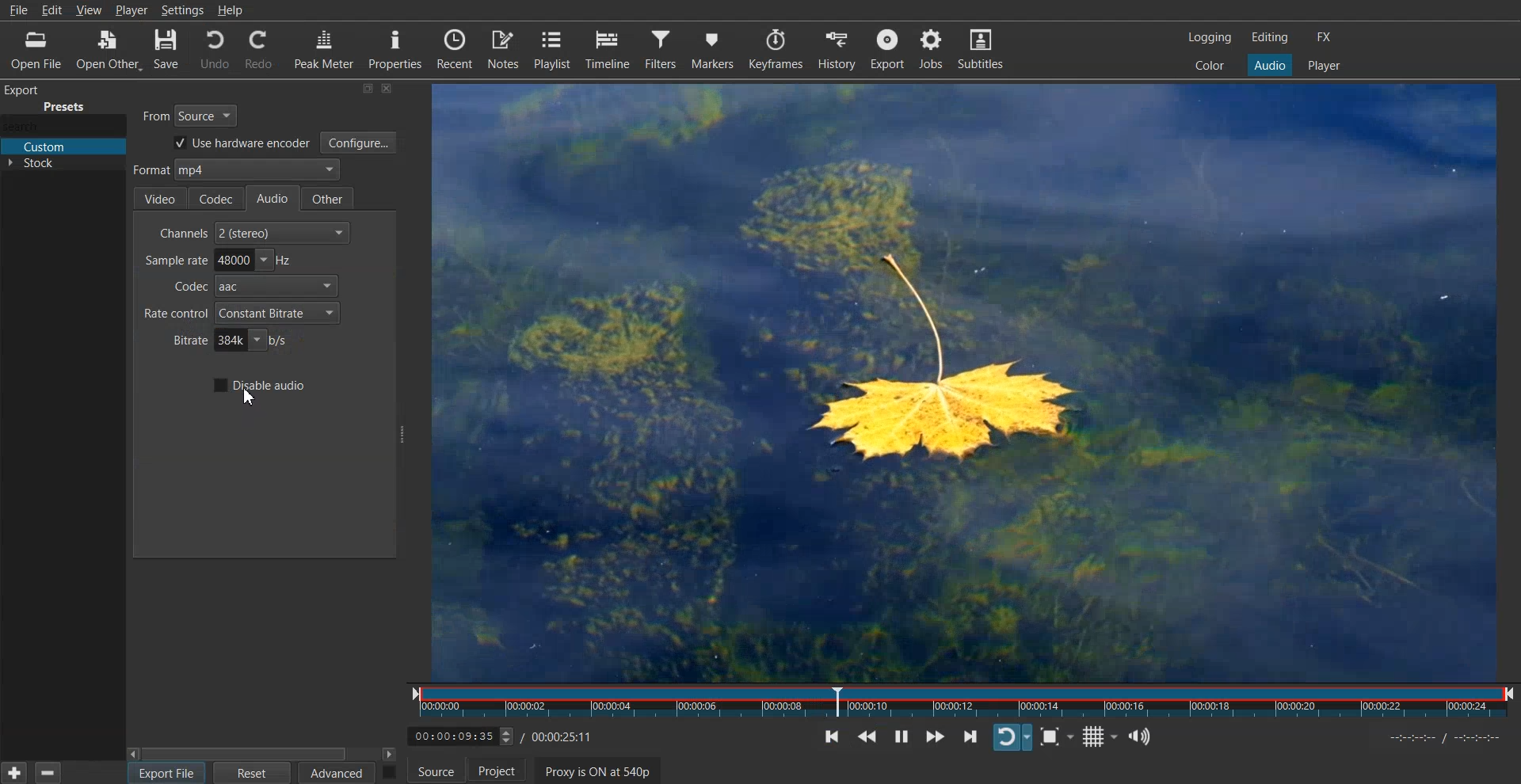 The height and width of the screenshot is (784, 1521). I want to click on Text, so click(53, 99).